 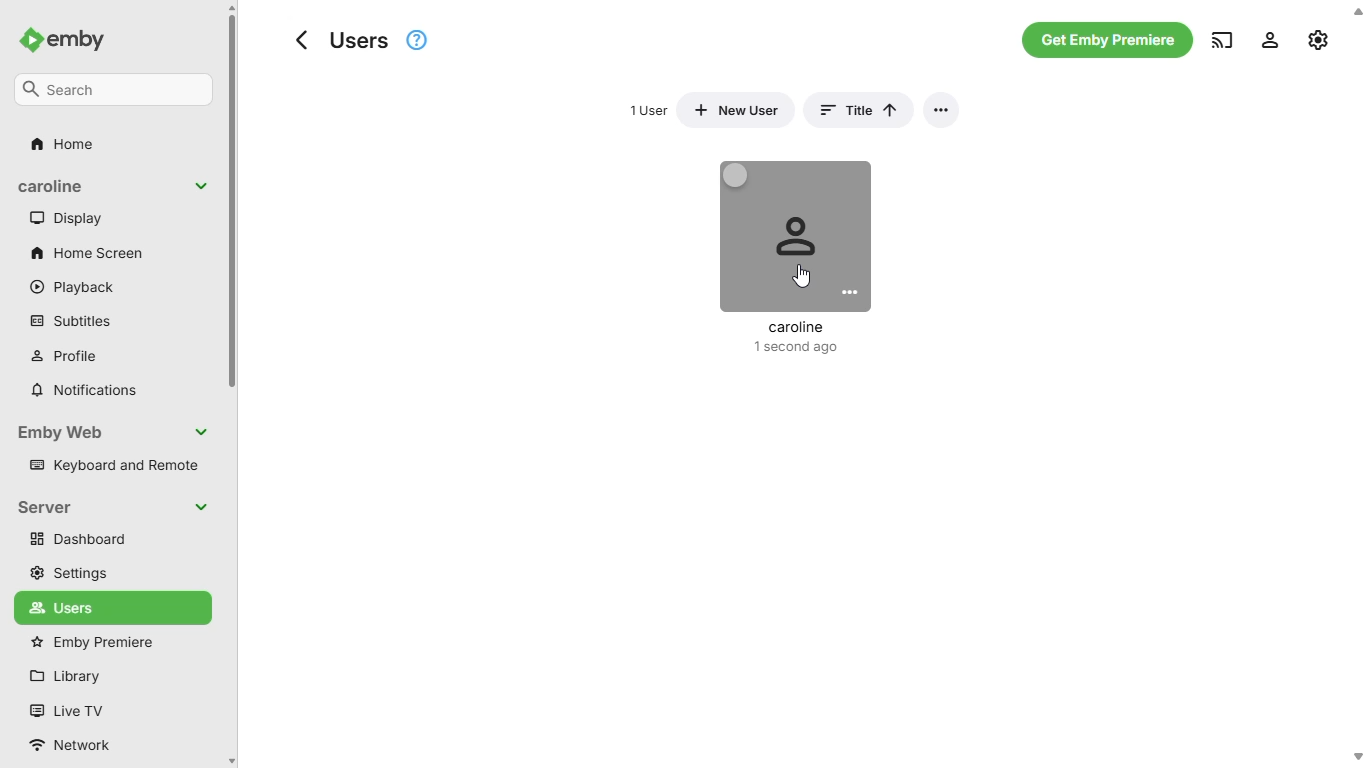 I want to click on vertical scroll bar, so click(x=1356, y=383).